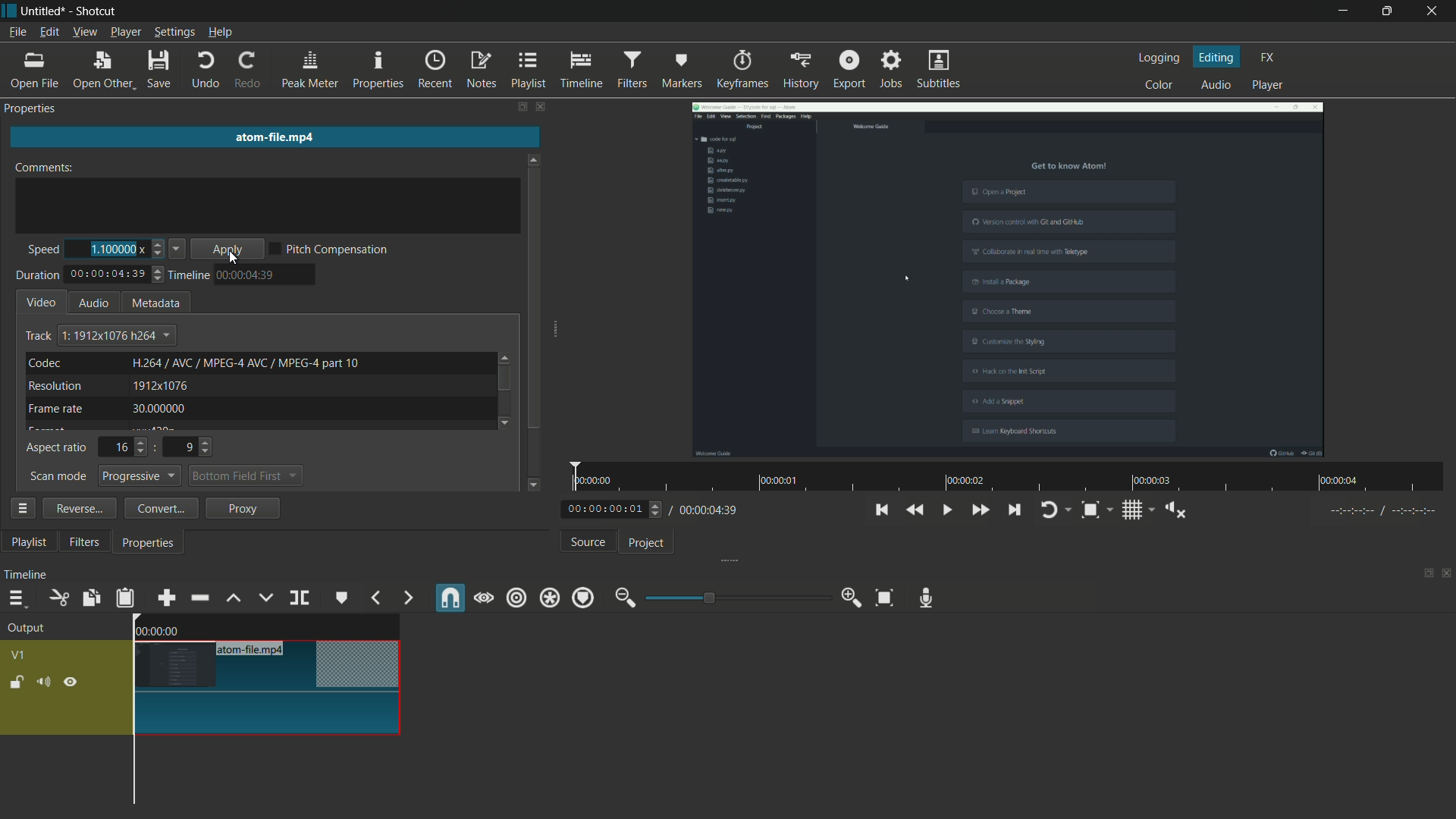 The height and width of the screenshot is (819, 1456). What do you see at coordinates (173, 33) in the screenshot?
I see `settings menu` at bounding box center [173, 33].